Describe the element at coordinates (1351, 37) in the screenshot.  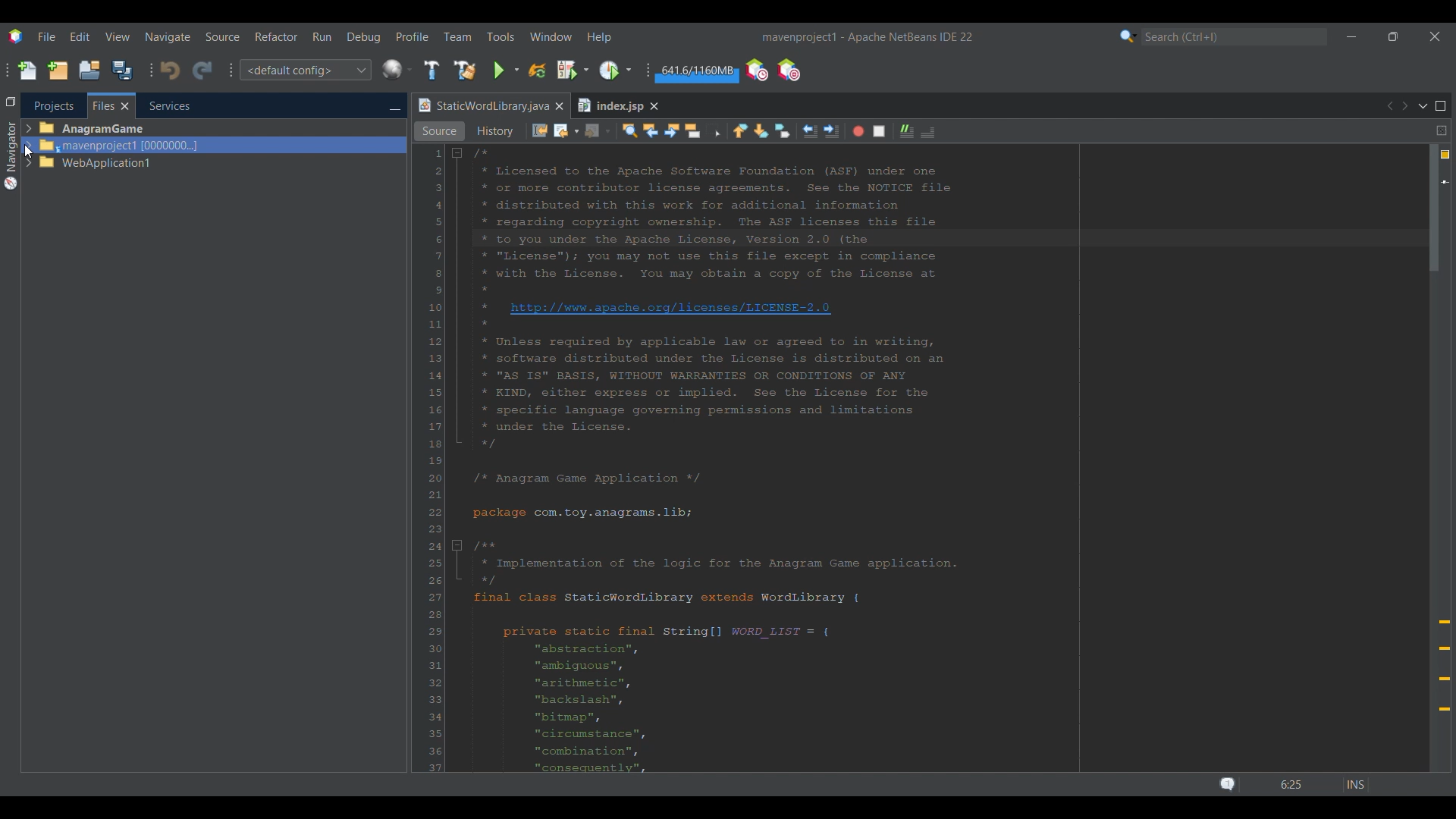
I see `Minimize` at that location.